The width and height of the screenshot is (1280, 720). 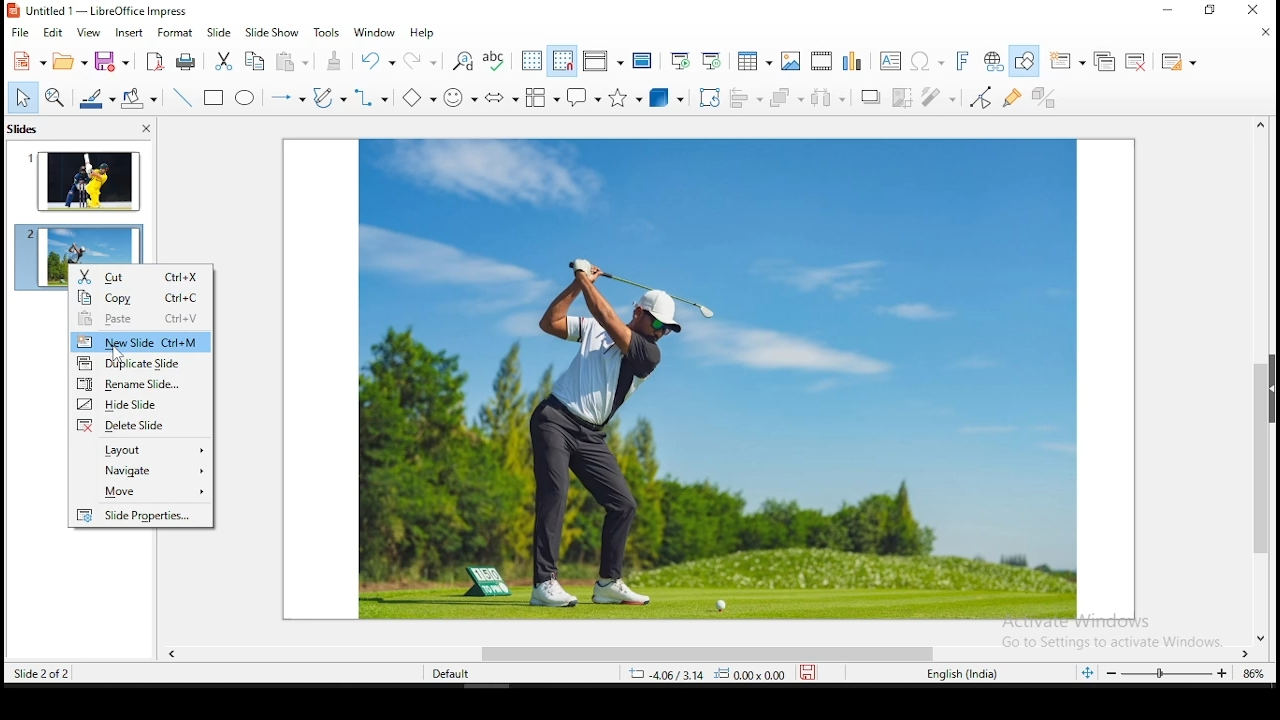 I want to click on clone formatting, so click(x=333, y=61).